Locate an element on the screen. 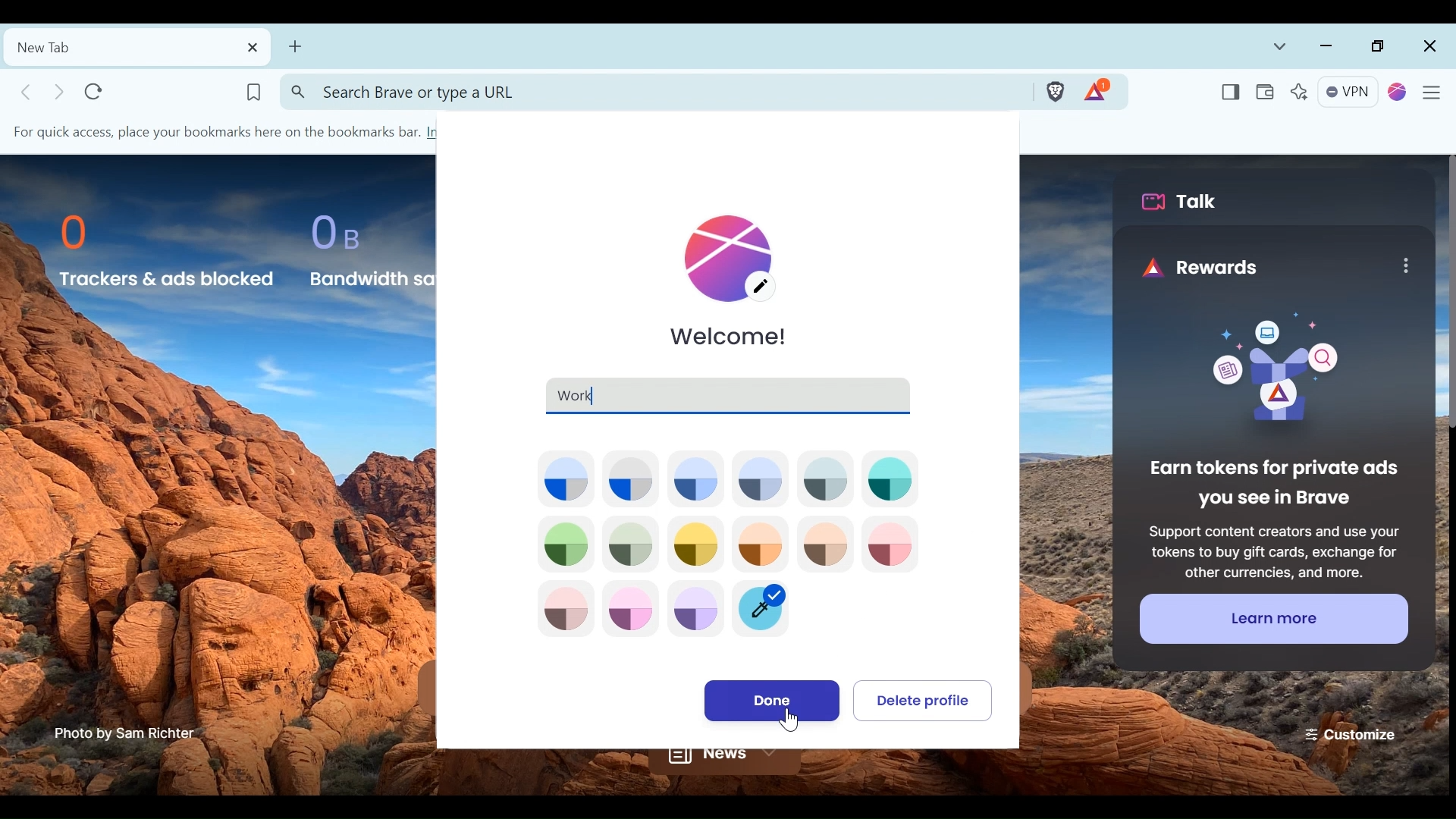  Close is located at coordinates (1428, 47).